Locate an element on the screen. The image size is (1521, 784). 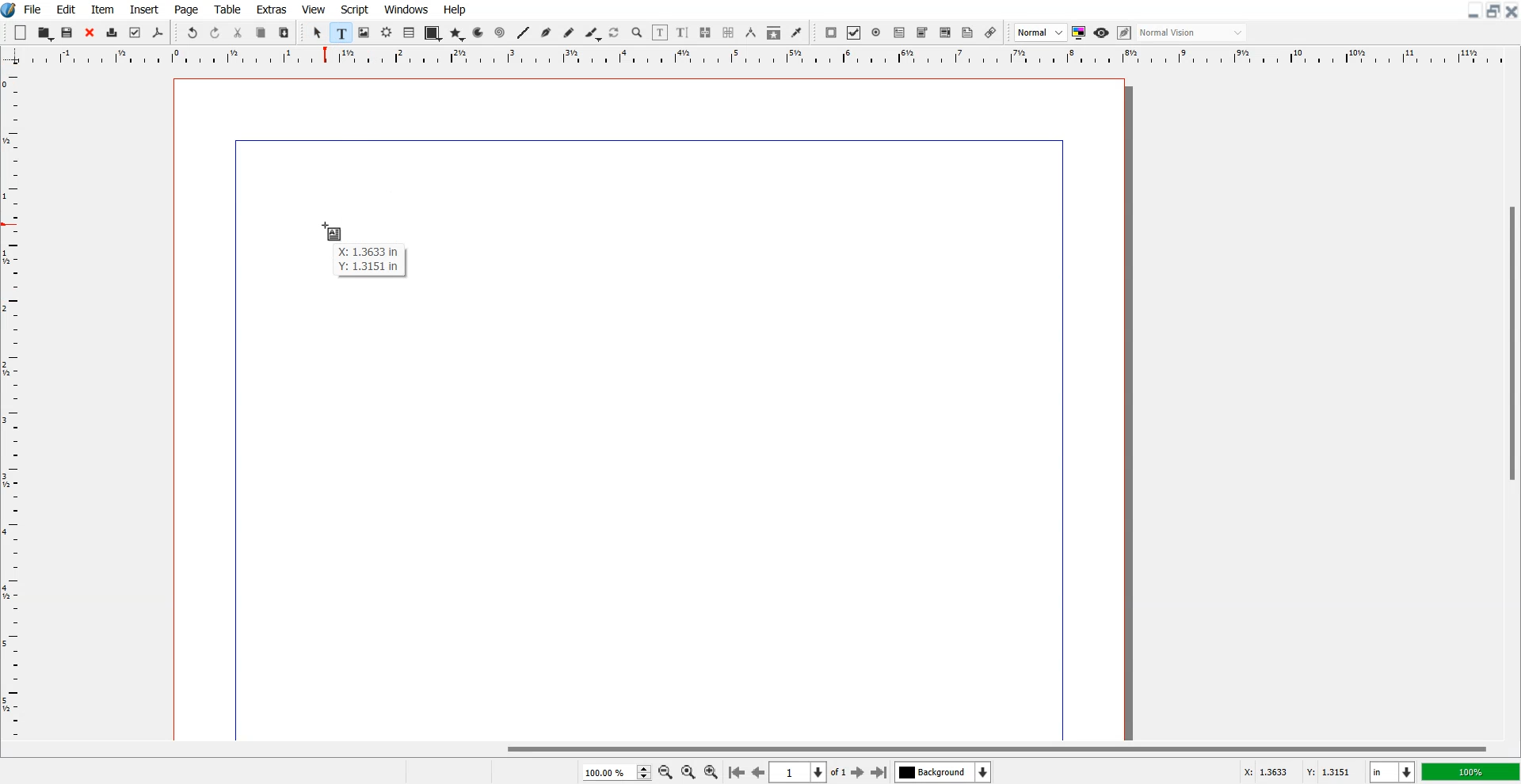
PDF Text field is located at coordinates (922, 33).